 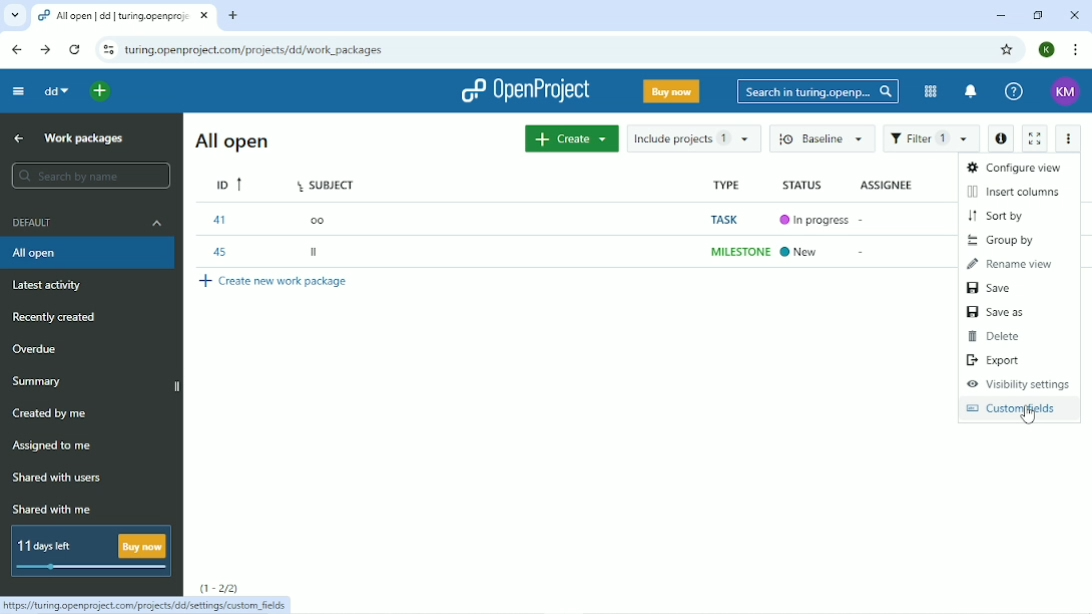 I want to click on Open quick add menu, so click(x=102, y=92).